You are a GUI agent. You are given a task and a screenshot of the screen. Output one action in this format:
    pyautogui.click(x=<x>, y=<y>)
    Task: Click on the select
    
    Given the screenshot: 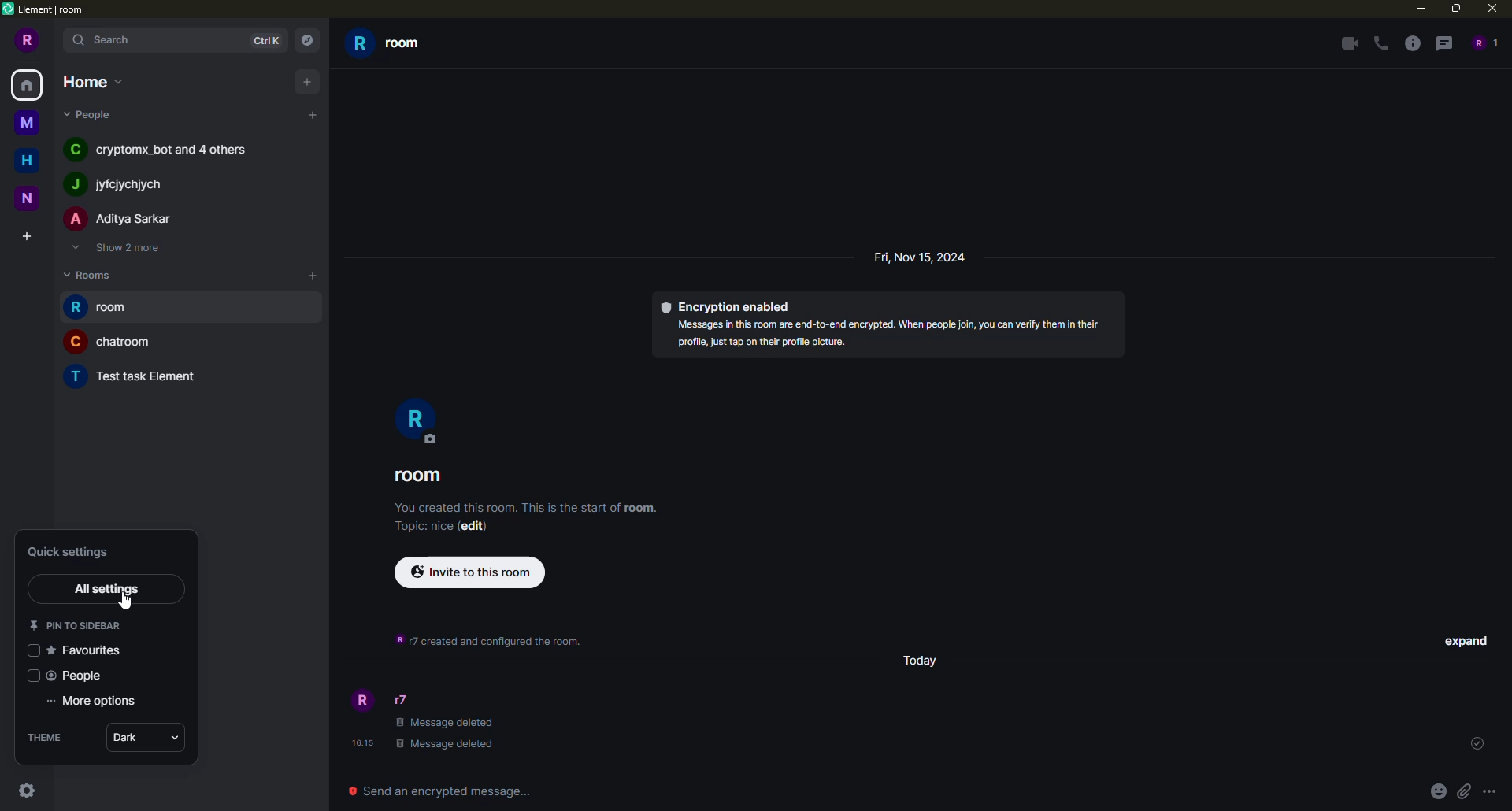 What is the action you would take?
    pyautogui.click(x=29, y=676)
    